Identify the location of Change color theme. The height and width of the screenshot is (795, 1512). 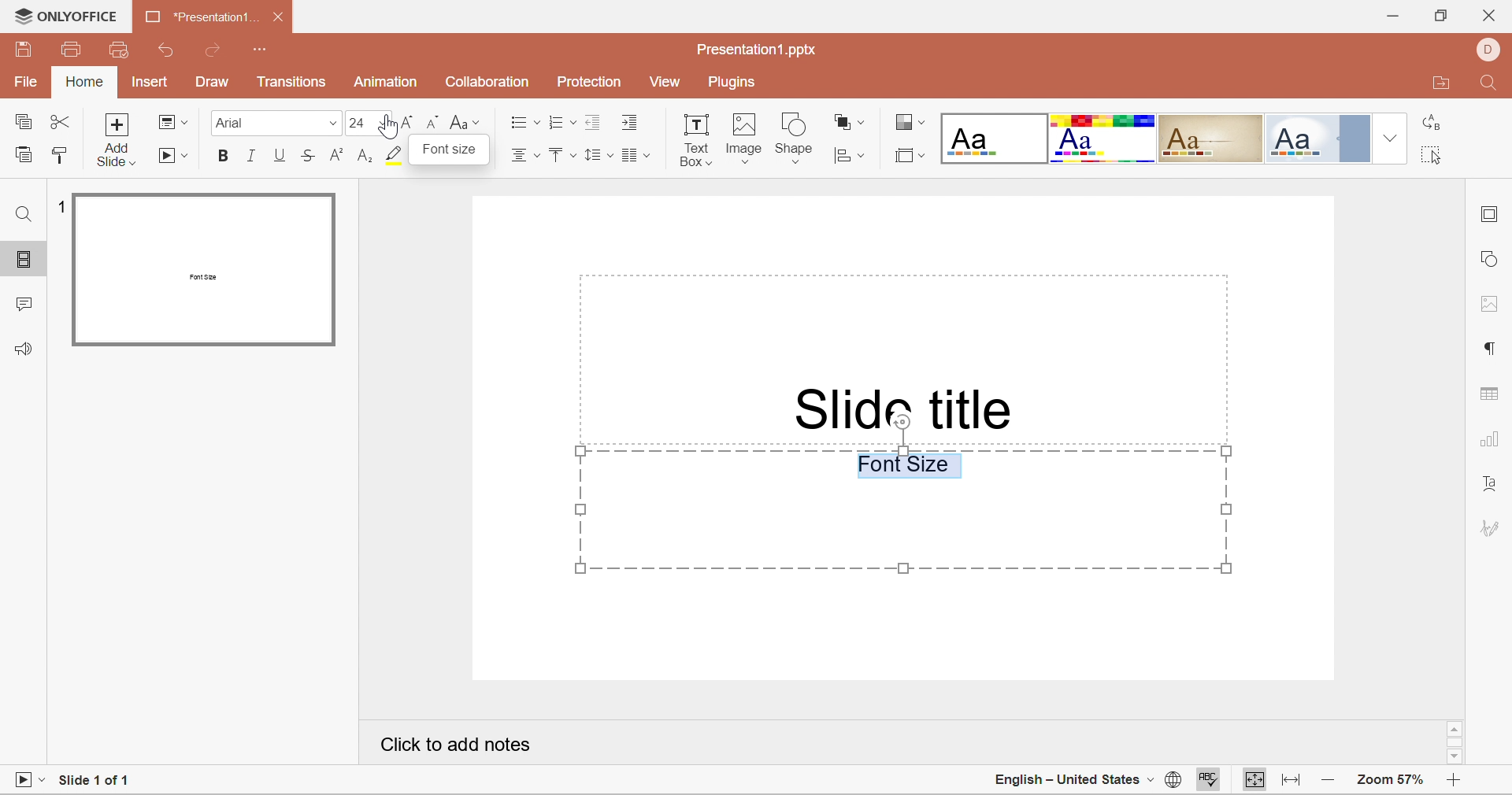
(908, 121).